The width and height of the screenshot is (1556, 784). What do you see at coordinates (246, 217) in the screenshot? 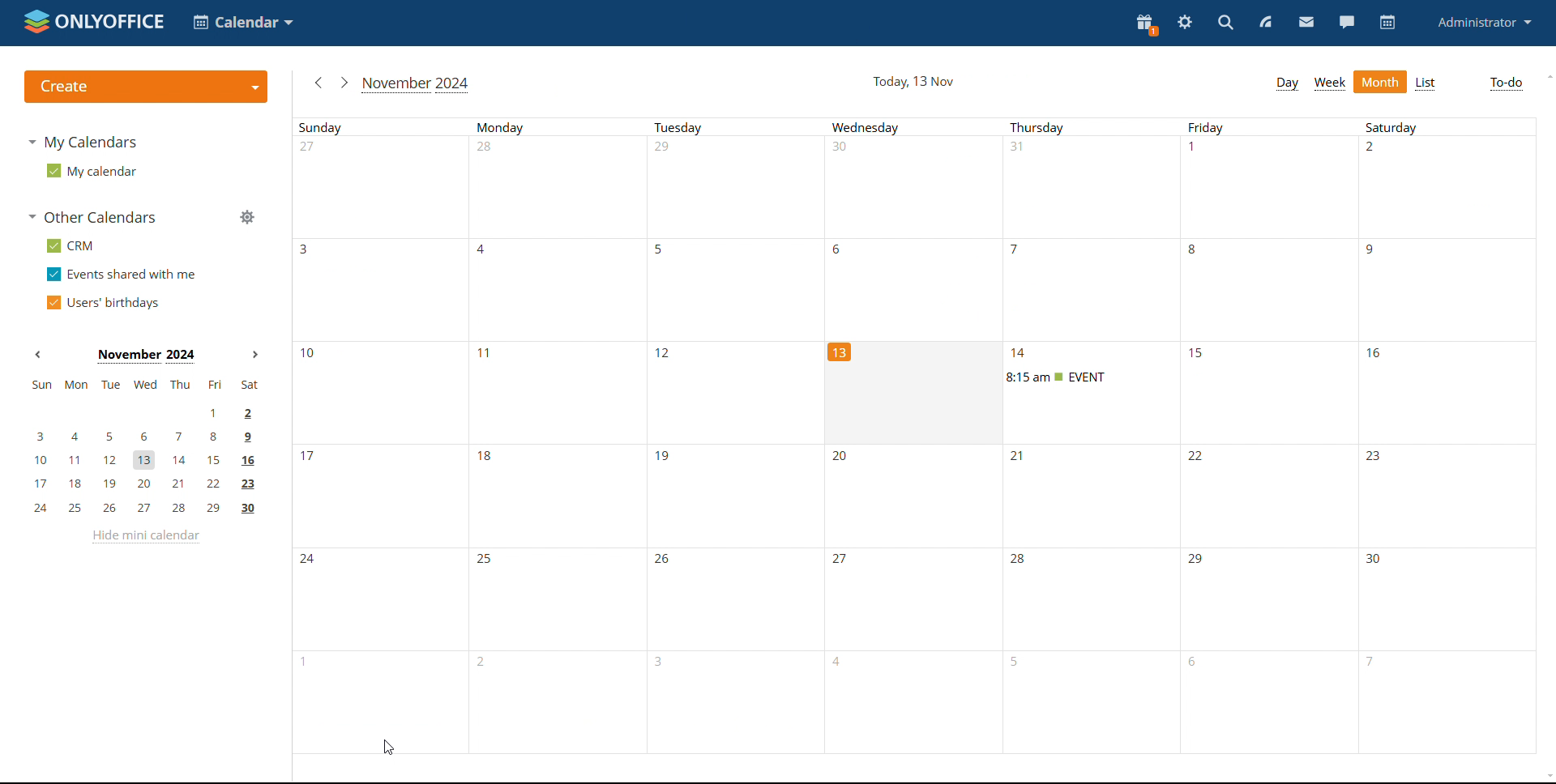
I see `manage` at bounding box center [246, 217].